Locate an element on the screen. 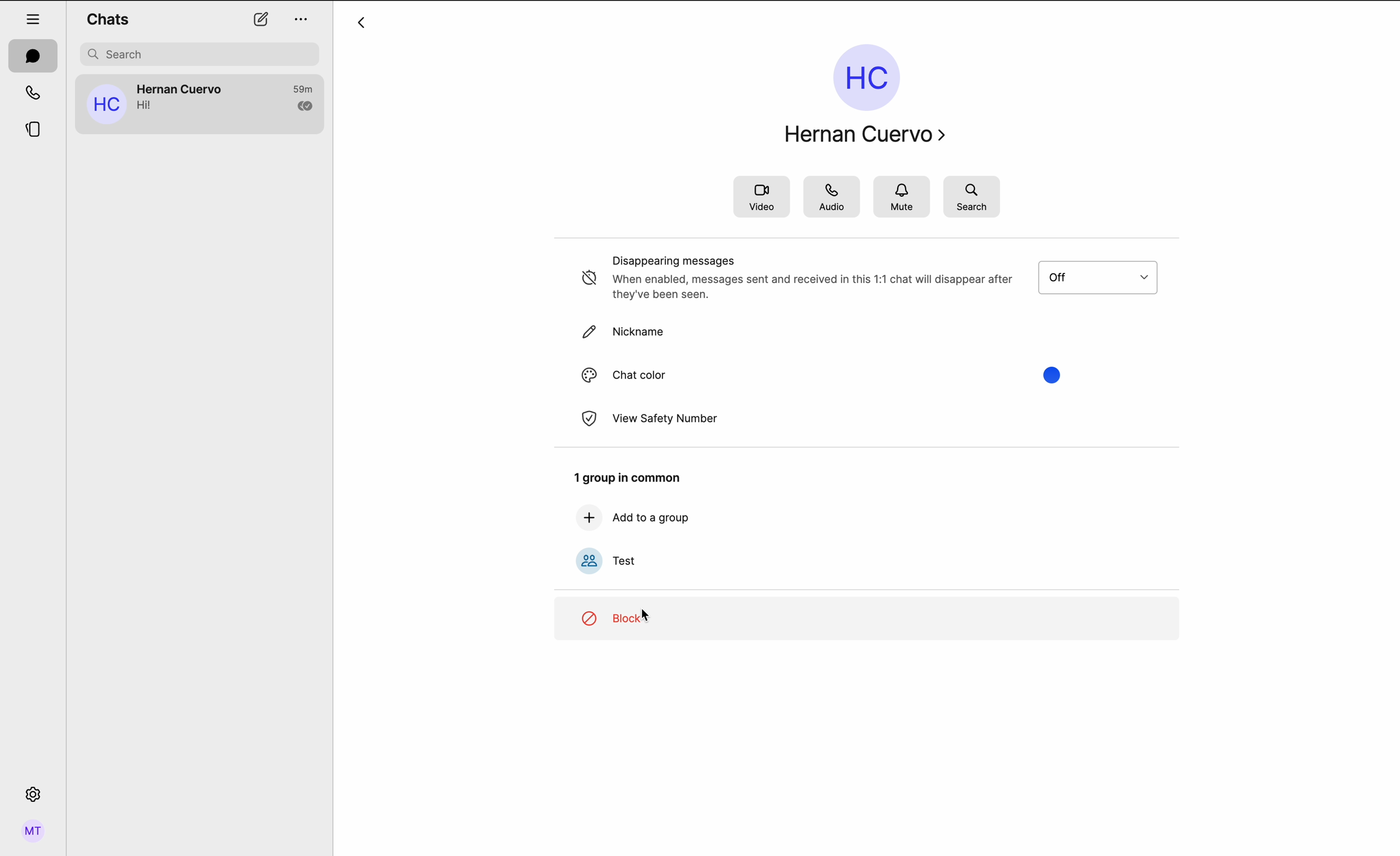 The image size is (1400, 856). chats is located at coordinates (111, 18).